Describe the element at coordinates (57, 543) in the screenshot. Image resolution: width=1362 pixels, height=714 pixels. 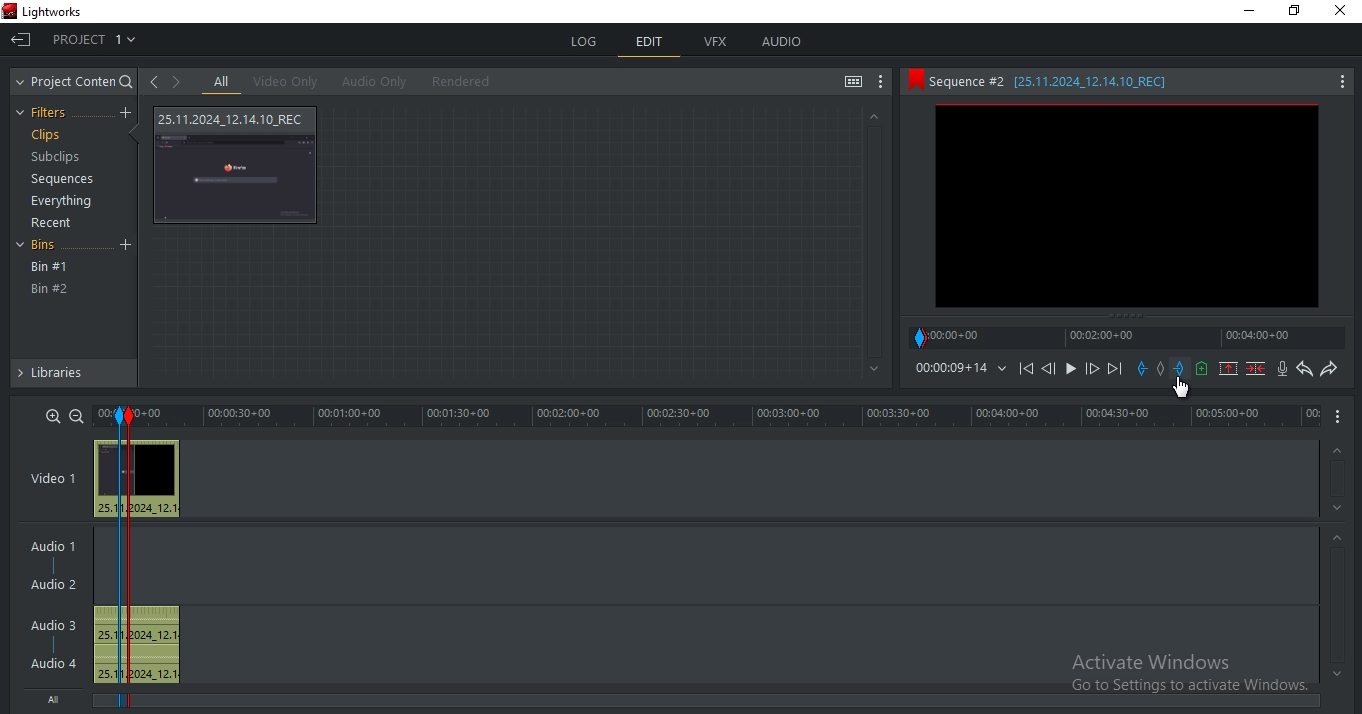
I see `Audio 1` at that location.